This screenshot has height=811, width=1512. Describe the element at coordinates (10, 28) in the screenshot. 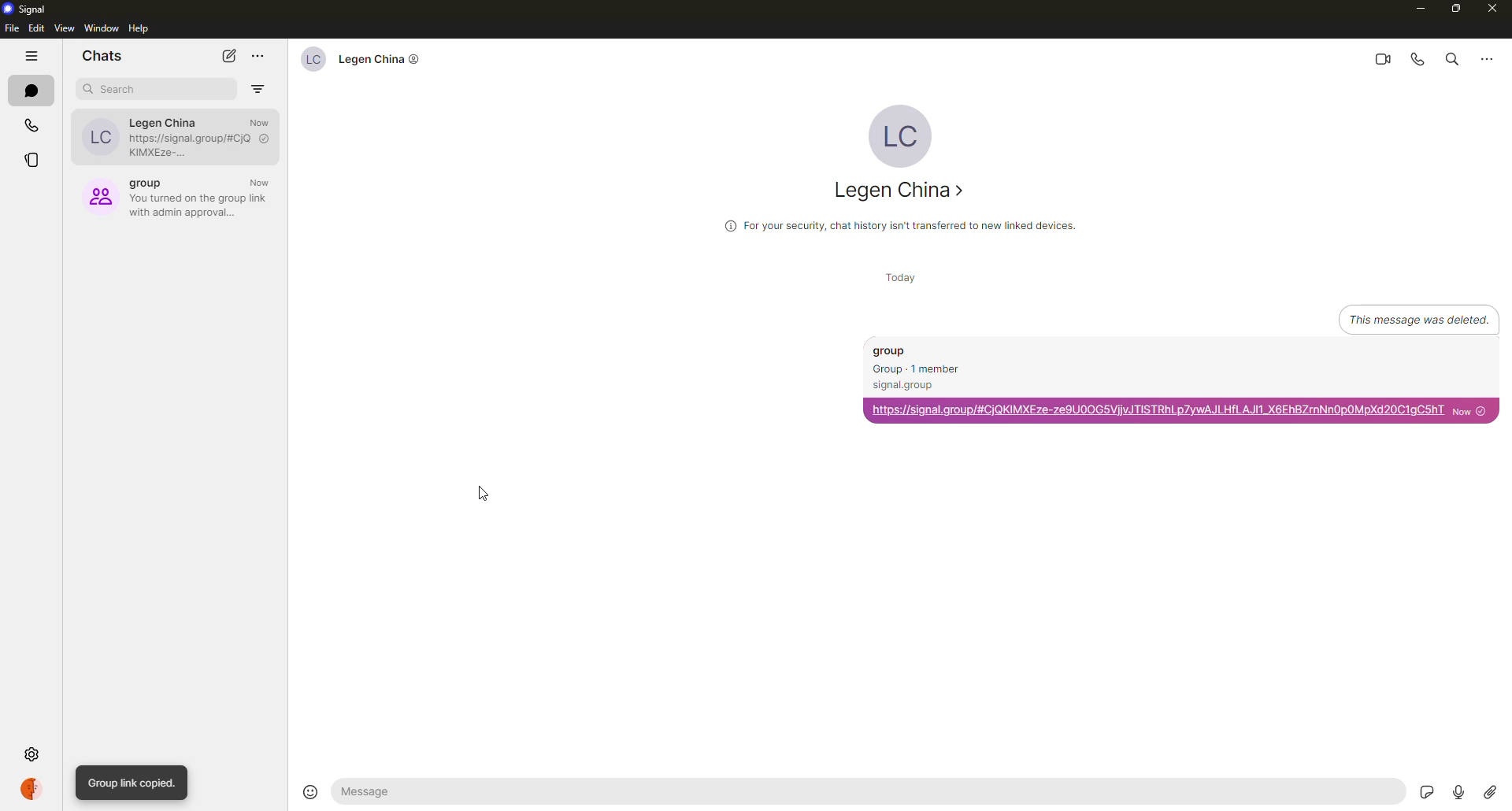

I see `file` at that location.